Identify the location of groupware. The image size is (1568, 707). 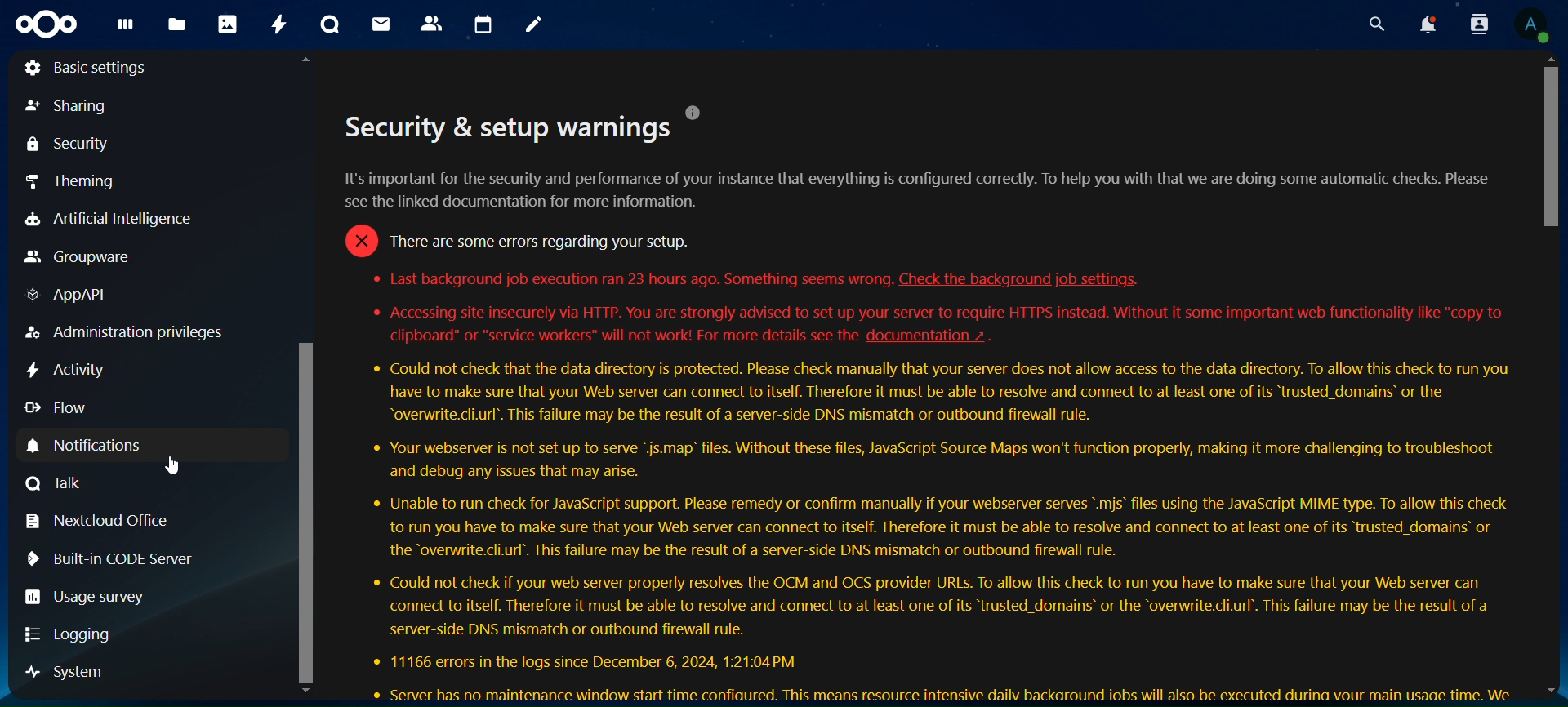
(74, 259).